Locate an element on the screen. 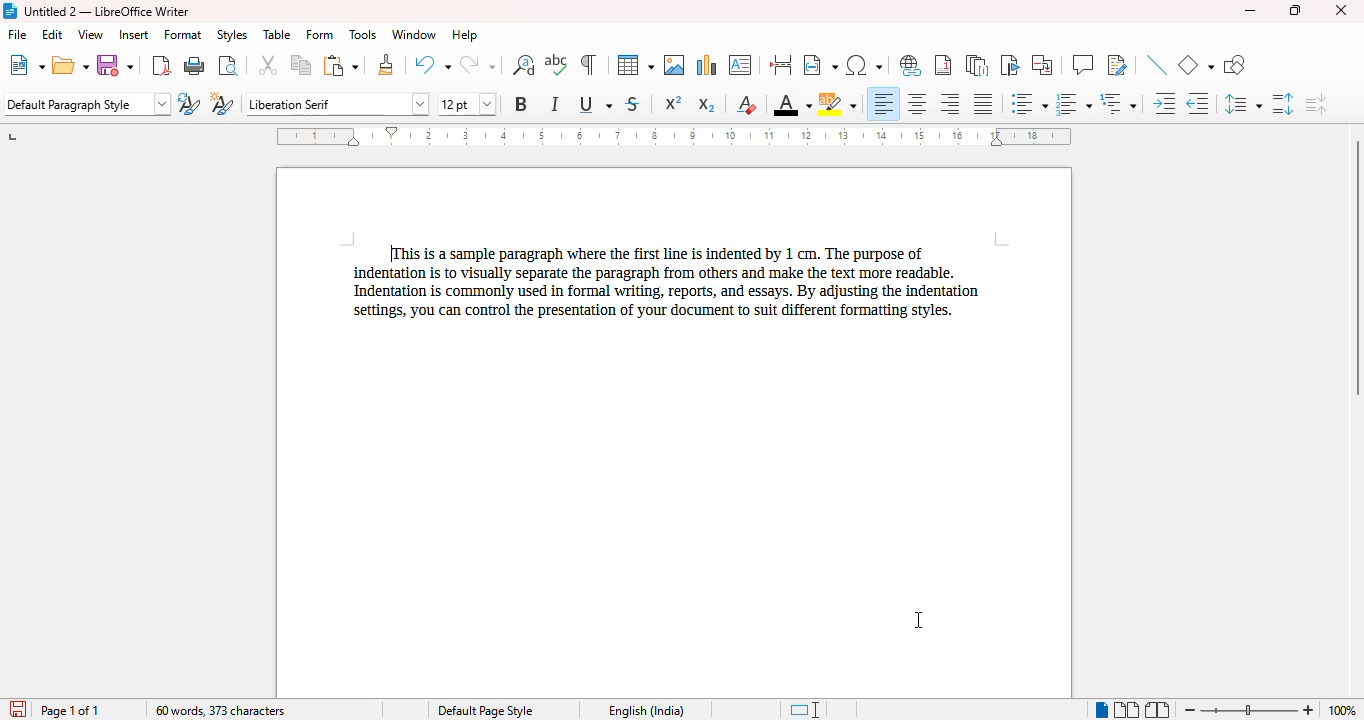 The height and width of the screenshot is (720, 1364). zoom out is located at coordinates (1190, 710).